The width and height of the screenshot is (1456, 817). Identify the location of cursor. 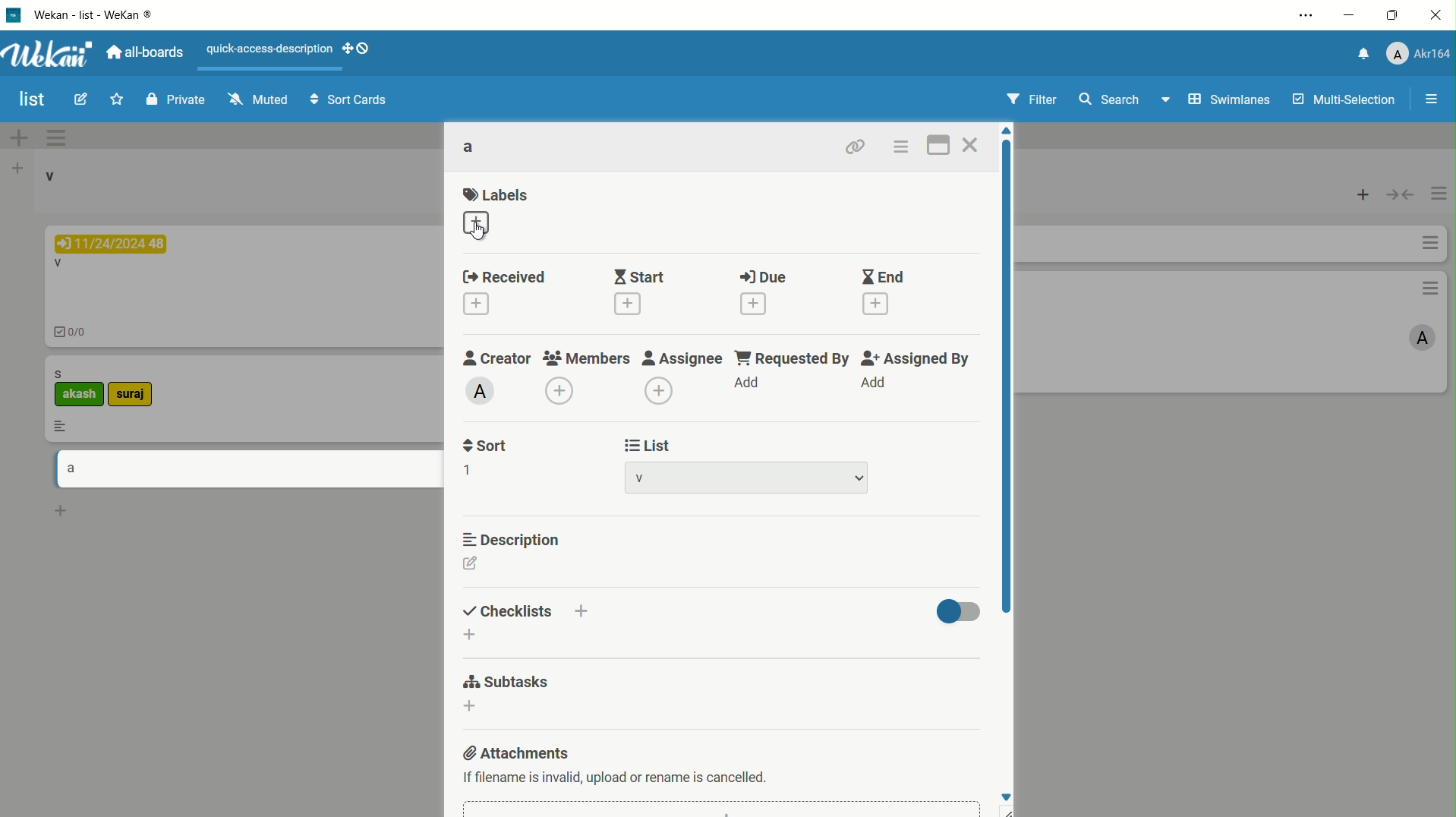
(481, 232).